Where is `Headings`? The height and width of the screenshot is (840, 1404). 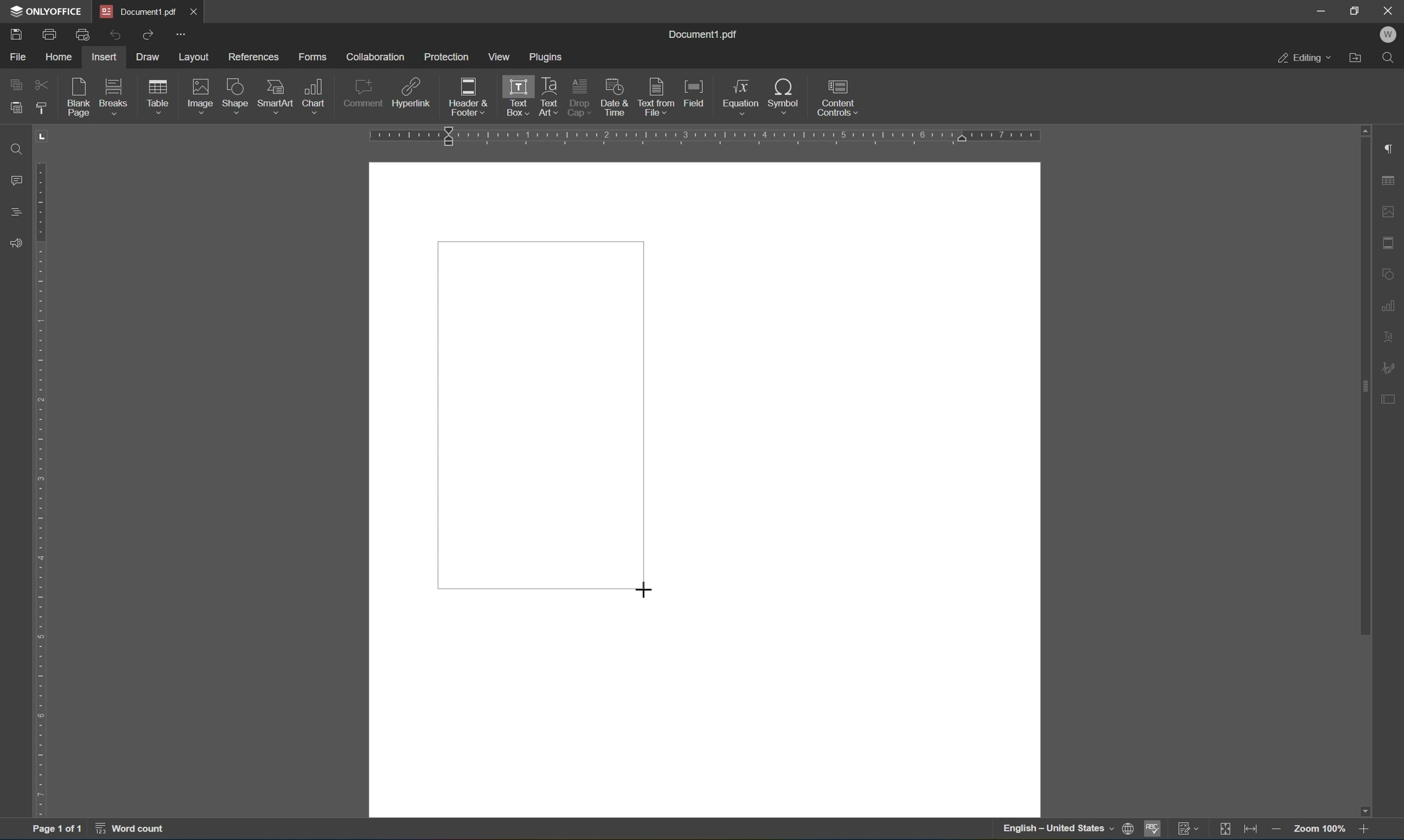
Headings is located at coordinates (17, 212).